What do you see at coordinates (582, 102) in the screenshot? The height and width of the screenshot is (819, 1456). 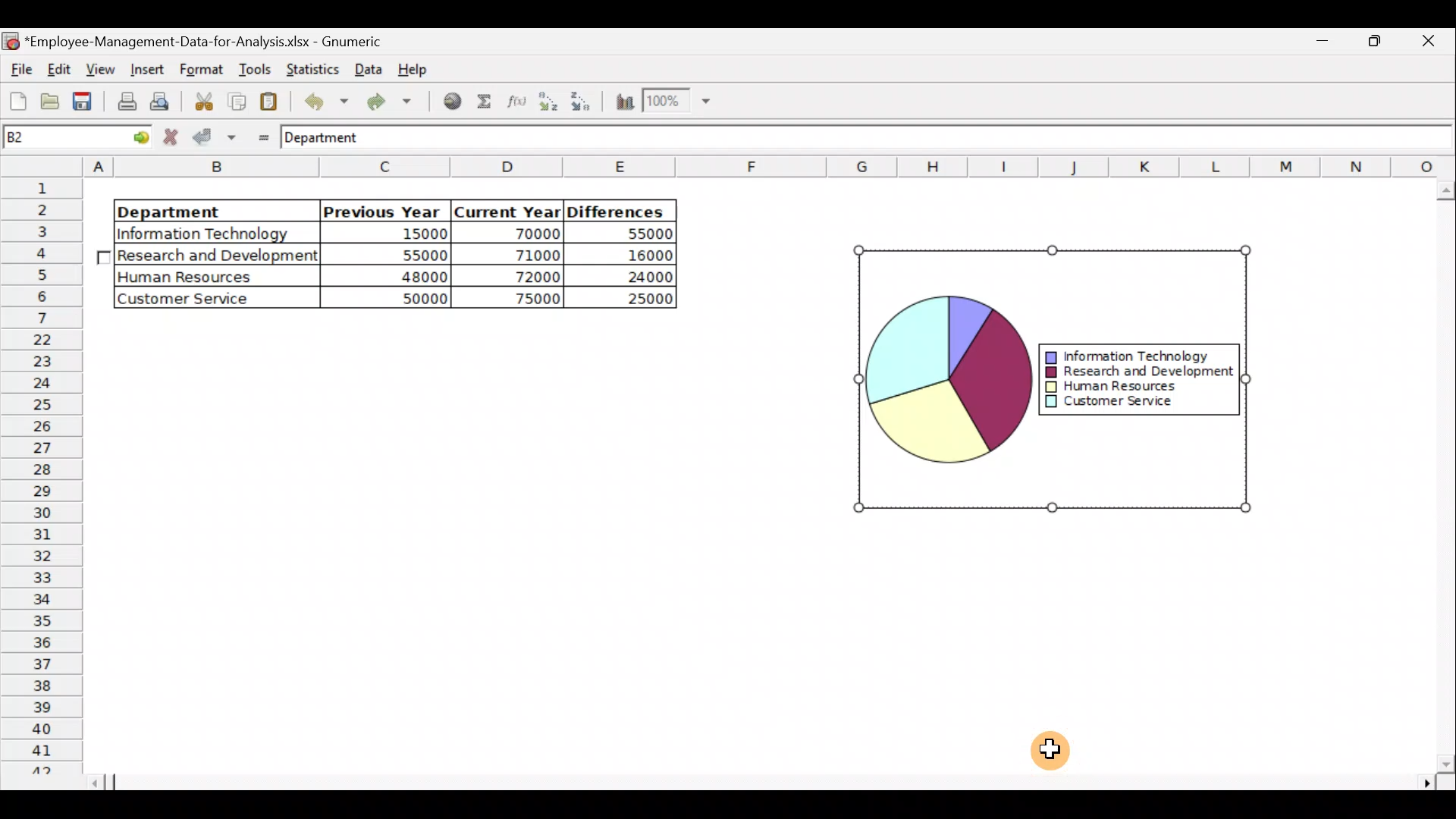 I see `Sort in descending order` at bounding box center [582, 102].